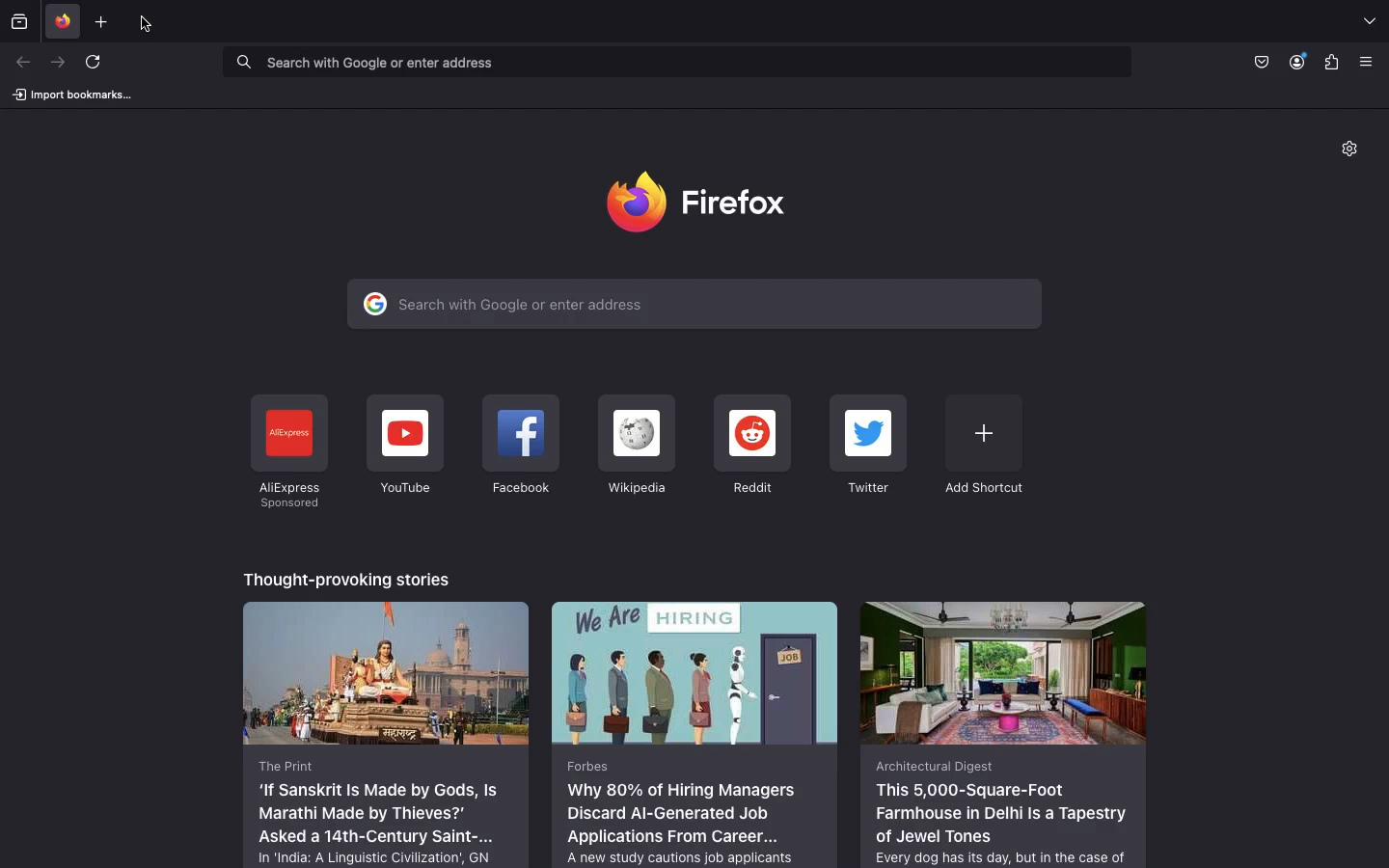 This screenshot has height=868, width=1389. What do you see at coordinates (1331, 64) in the screenshot?
I see `Extensions` at bounding box center [1331, 64].